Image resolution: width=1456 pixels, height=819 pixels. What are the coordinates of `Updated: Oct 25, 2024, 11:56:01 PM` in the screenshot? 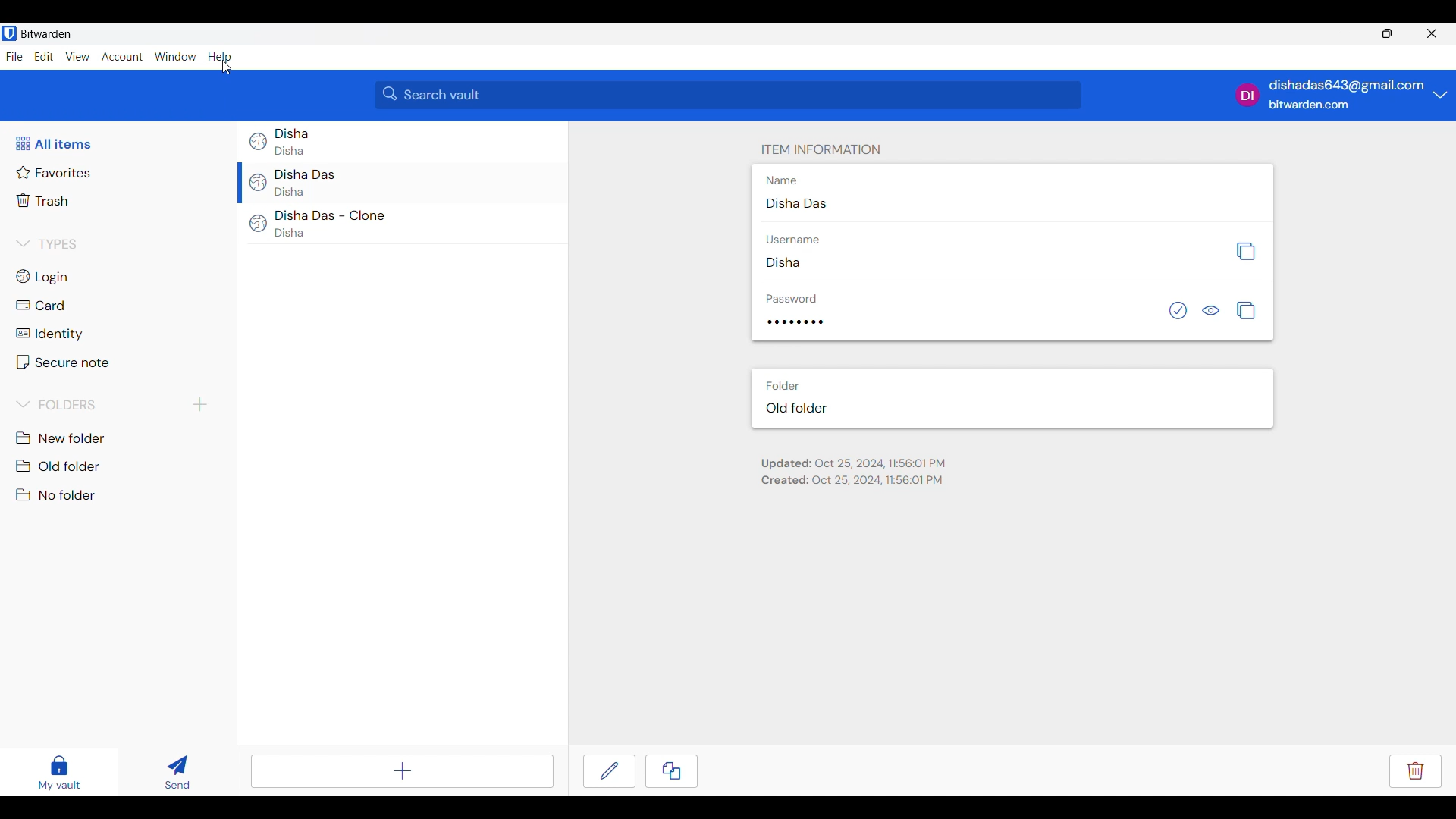 It's located at (853, 464).